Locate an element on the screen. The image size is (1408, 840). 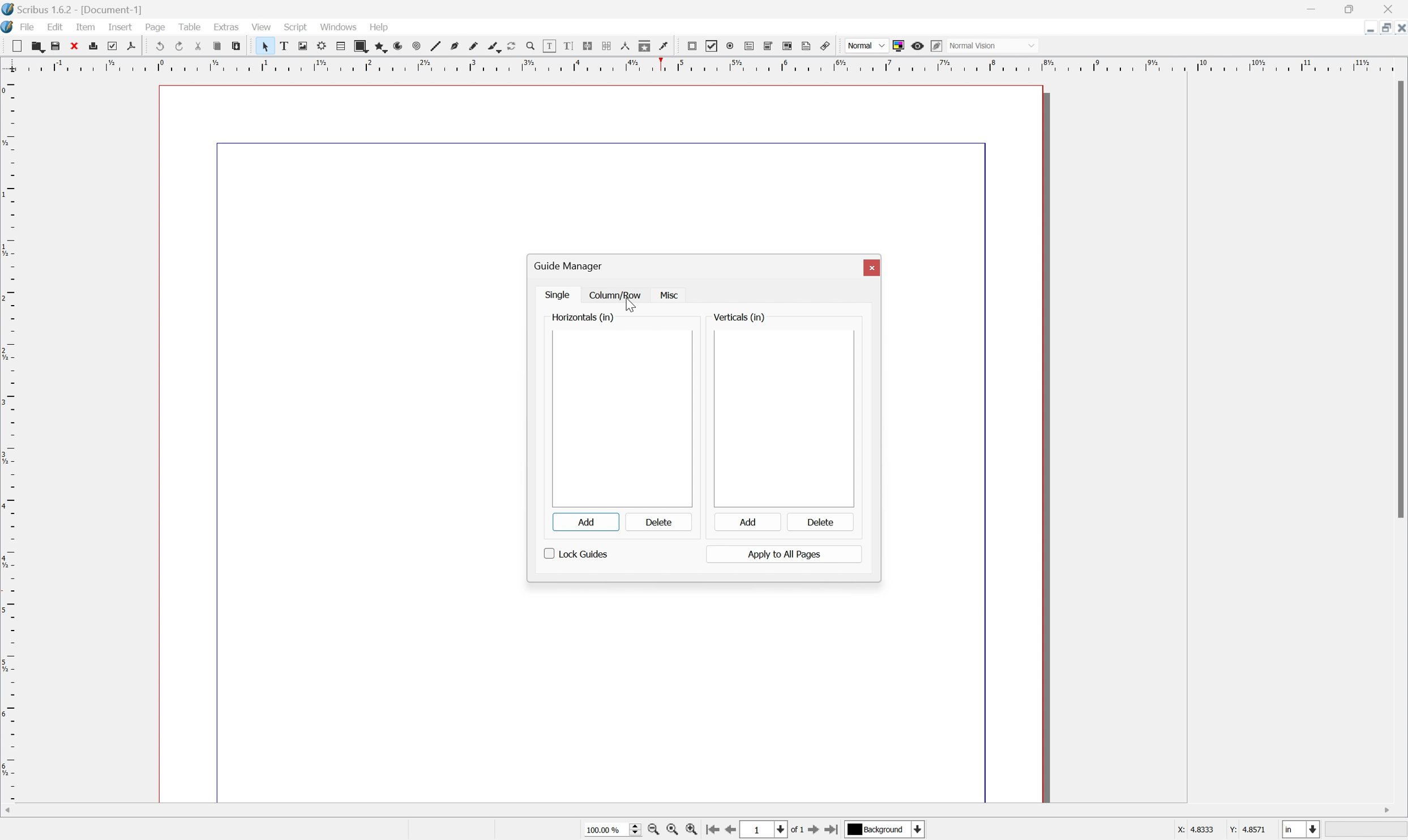
single is located at coordinates (558, 296).